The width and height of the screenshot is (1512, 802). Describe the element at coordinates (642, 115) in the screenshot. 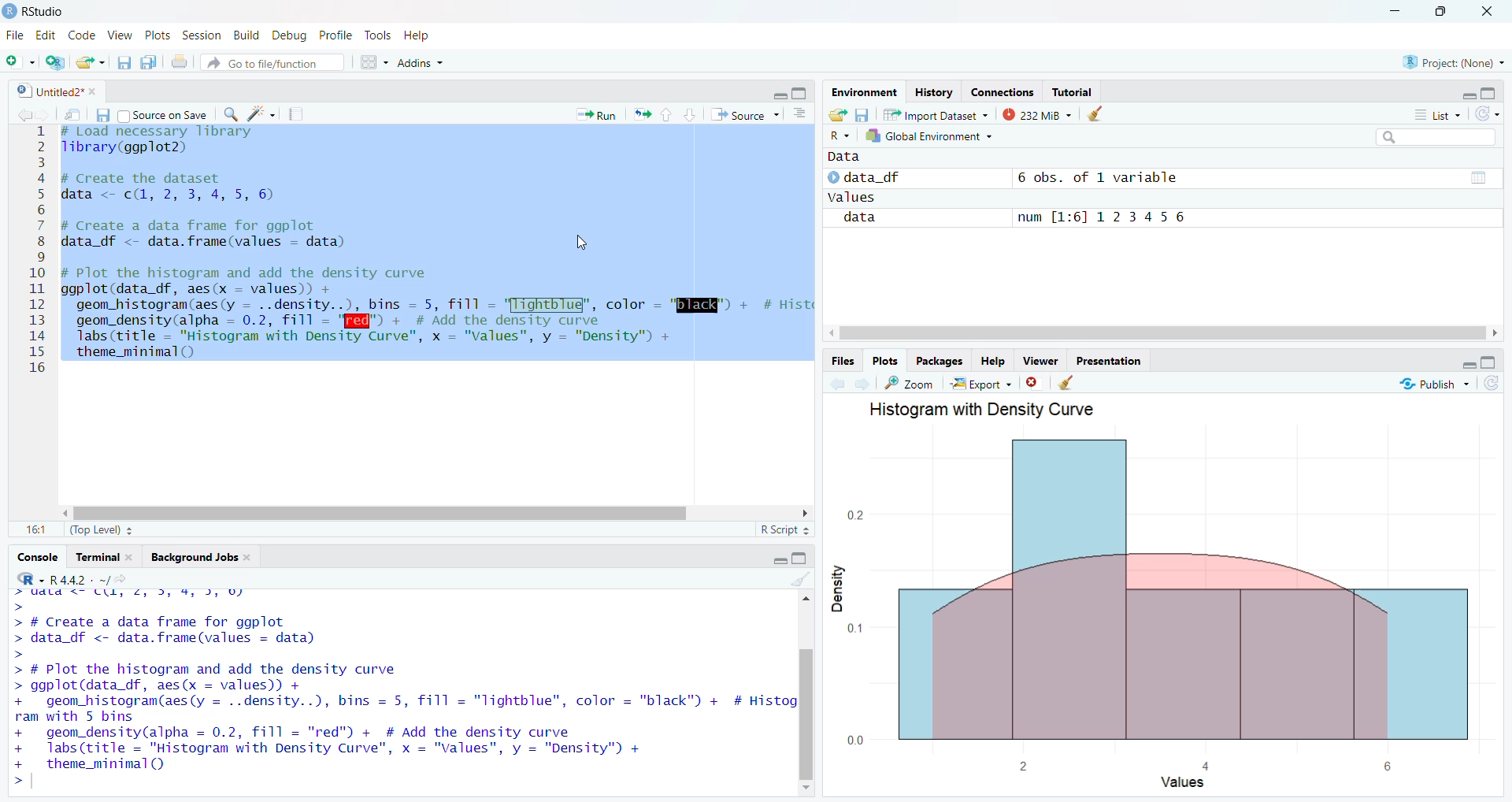

I see `Re-run the previous code again` at that location.